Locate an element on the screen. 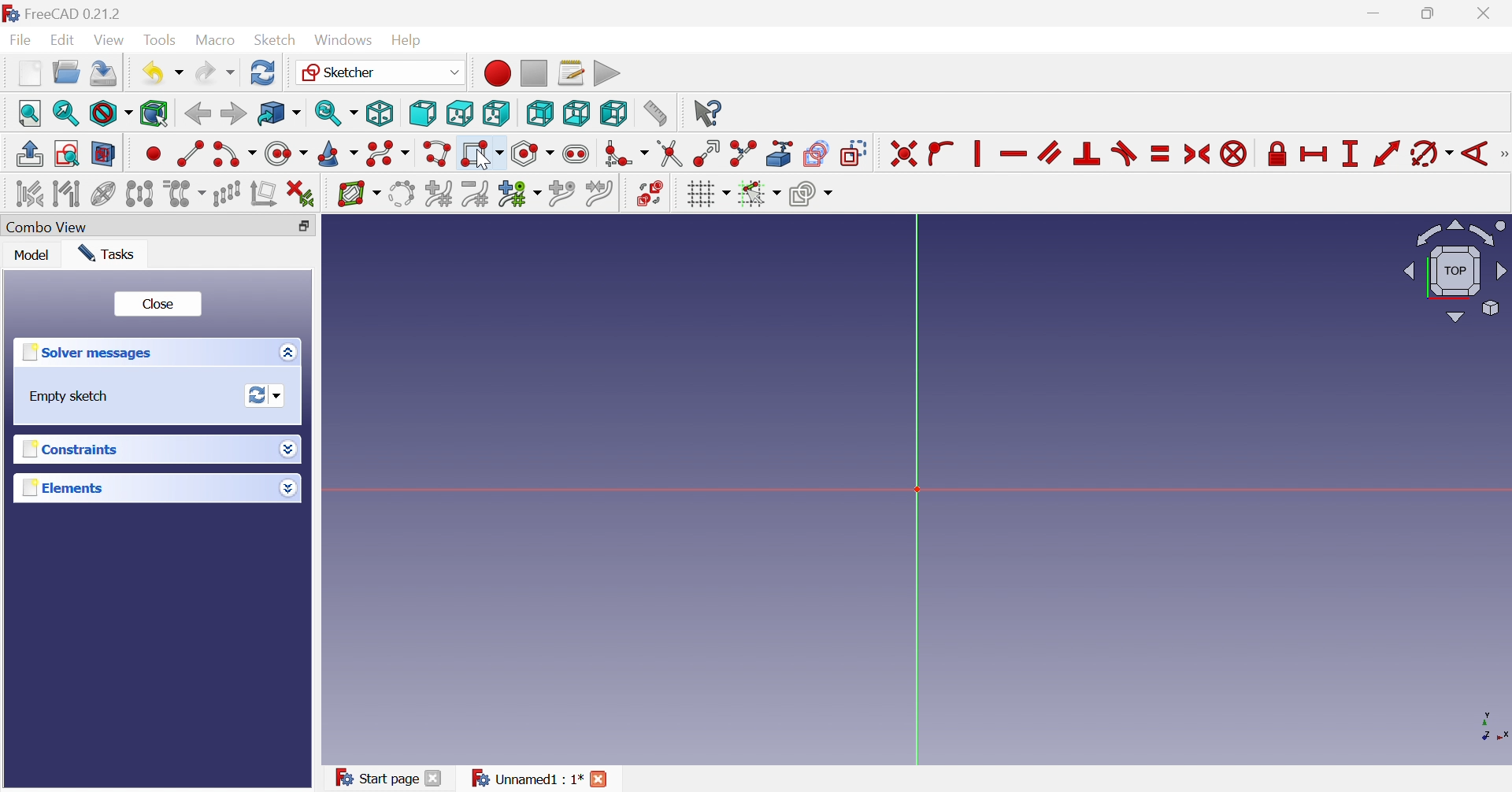 The width and height of the screenshot is (1512, 792). Create conic is located at coordinates (339, 155).